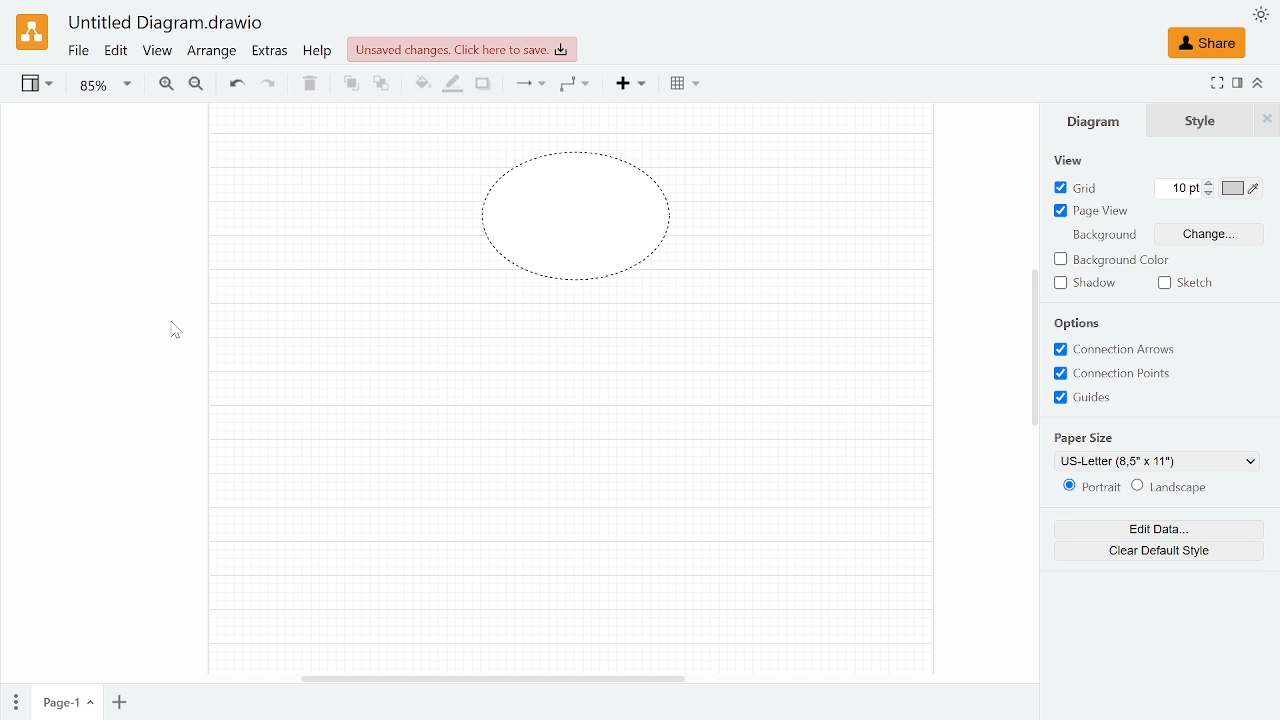 The image size is (1280, 720). I want to click on Untitled Diagram.drawio, so click(164, 23).